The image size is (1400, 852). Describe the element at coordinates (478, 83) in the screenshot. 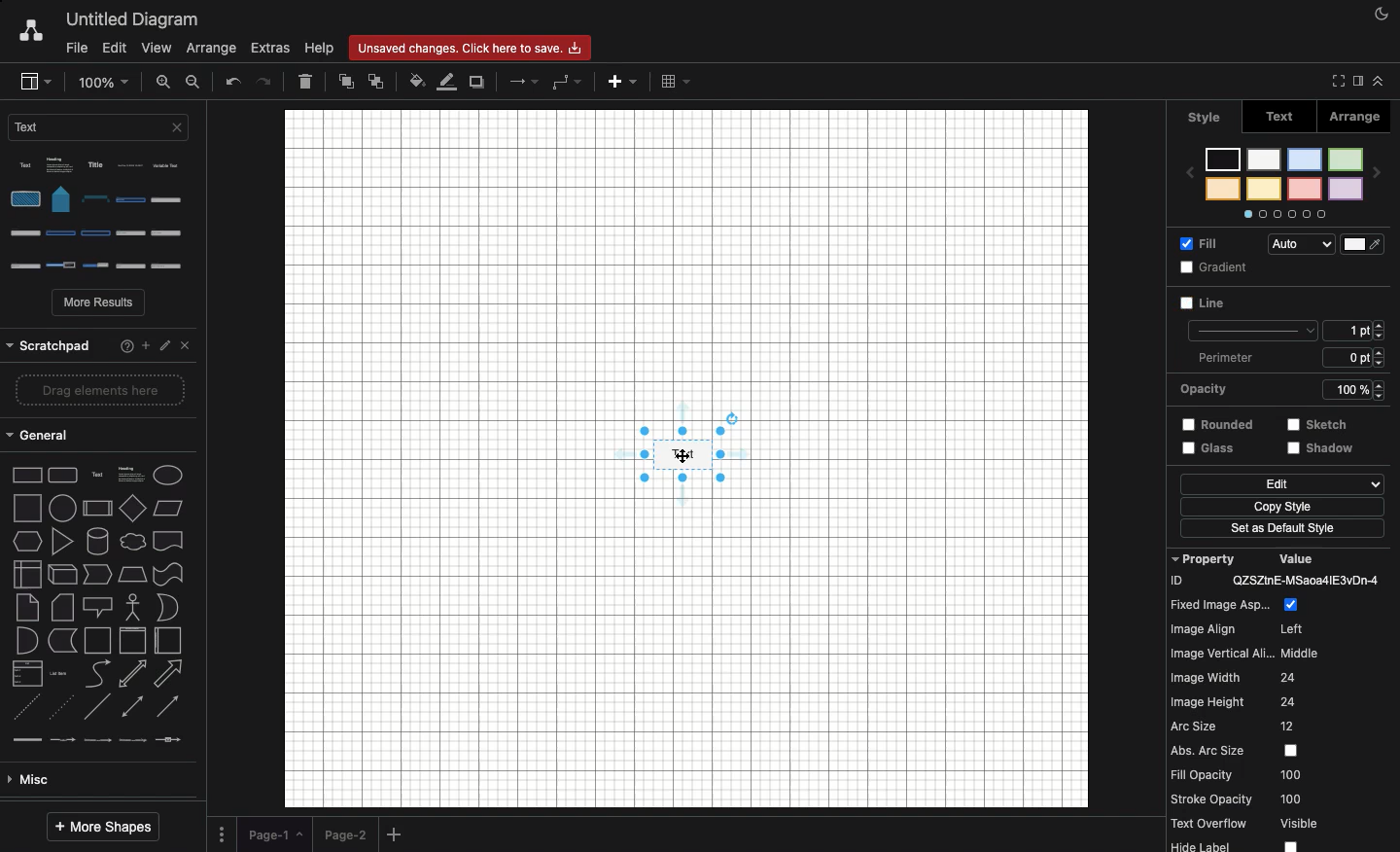

I see `Duplicate` at that location.